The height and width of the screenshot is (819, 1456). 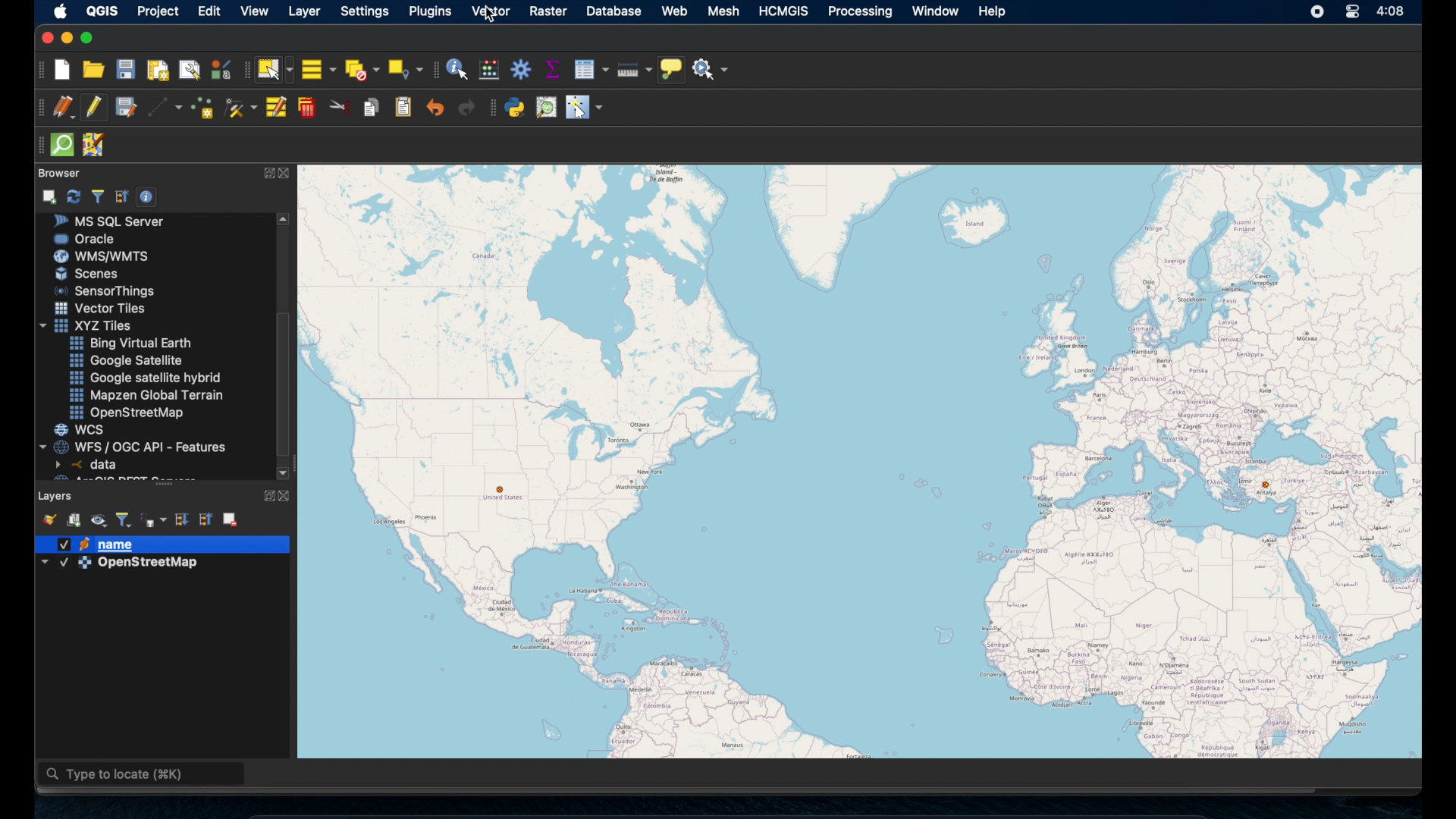 What do you see at coordinates (89, 325) in the screenshot?
I see `xyz tiles menu` at bounding box center [89, 325].